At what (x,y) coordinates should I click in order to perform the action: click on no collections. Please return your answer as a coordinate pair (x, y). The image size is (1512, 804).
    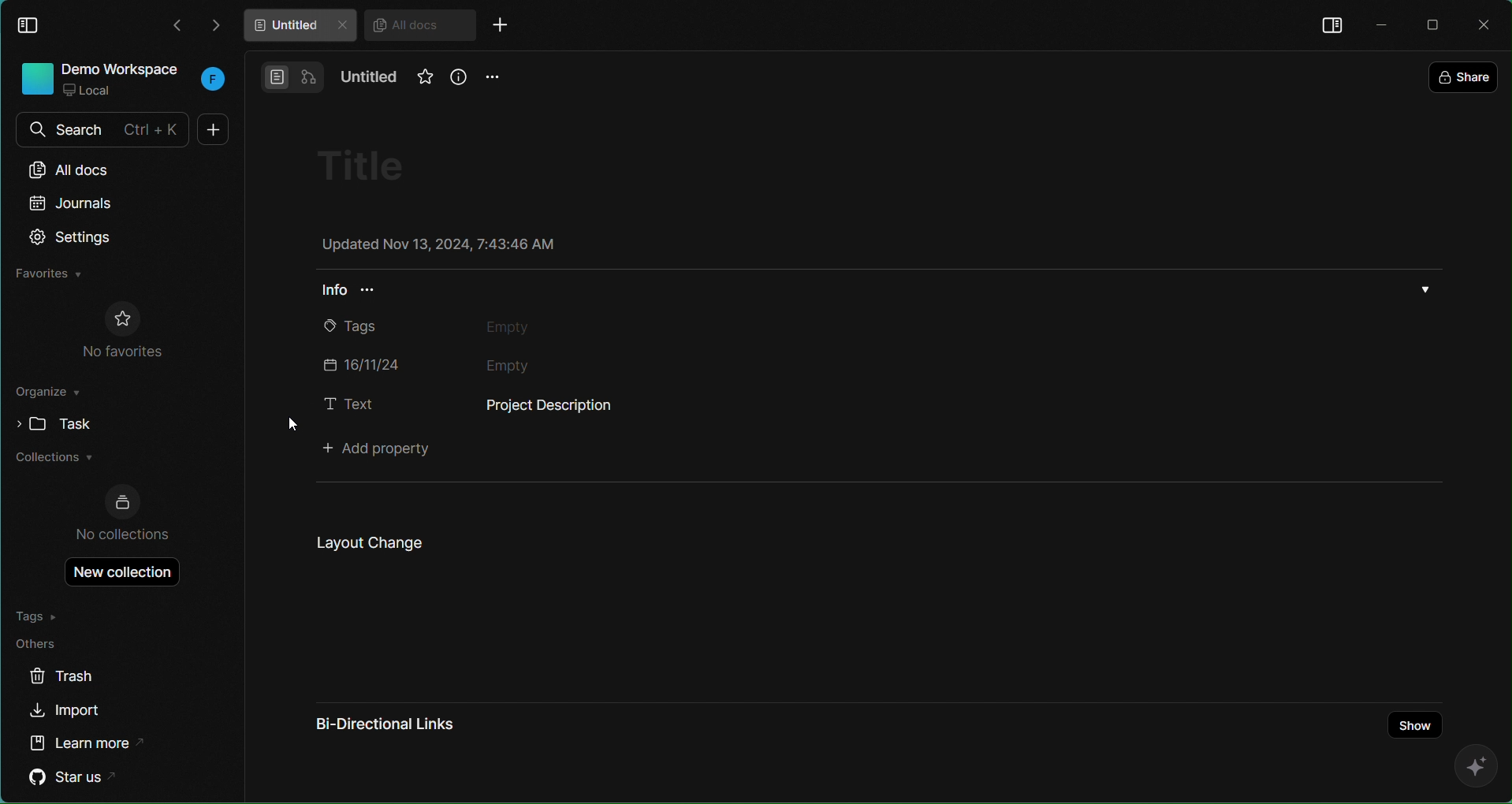
    Looking at the image, I should click on (124, 513).